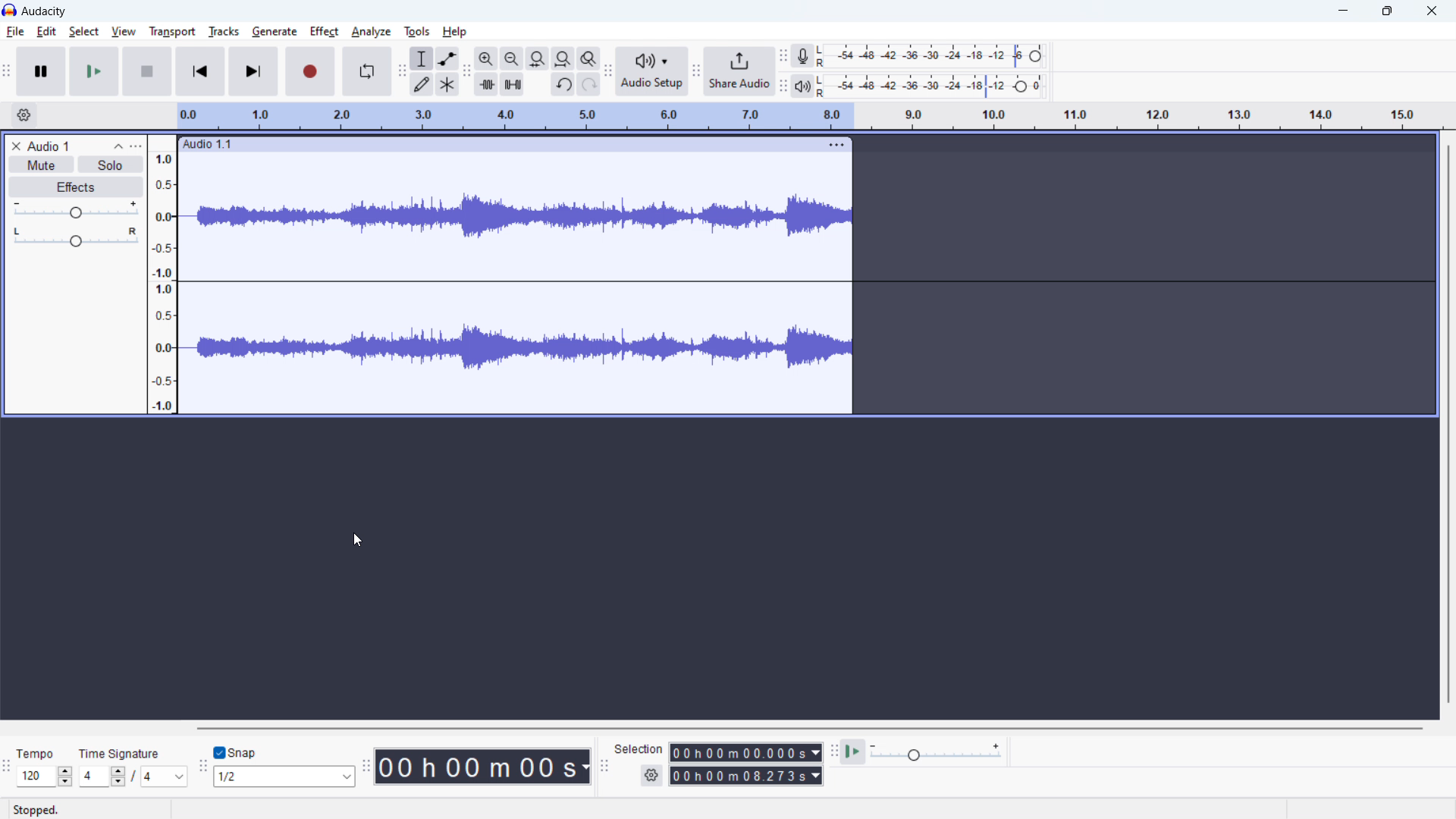 This screenshot has width=1456, height=819. Describe the element at coordinates (503, 144) in the screenshot. I see `click to move` at that location.